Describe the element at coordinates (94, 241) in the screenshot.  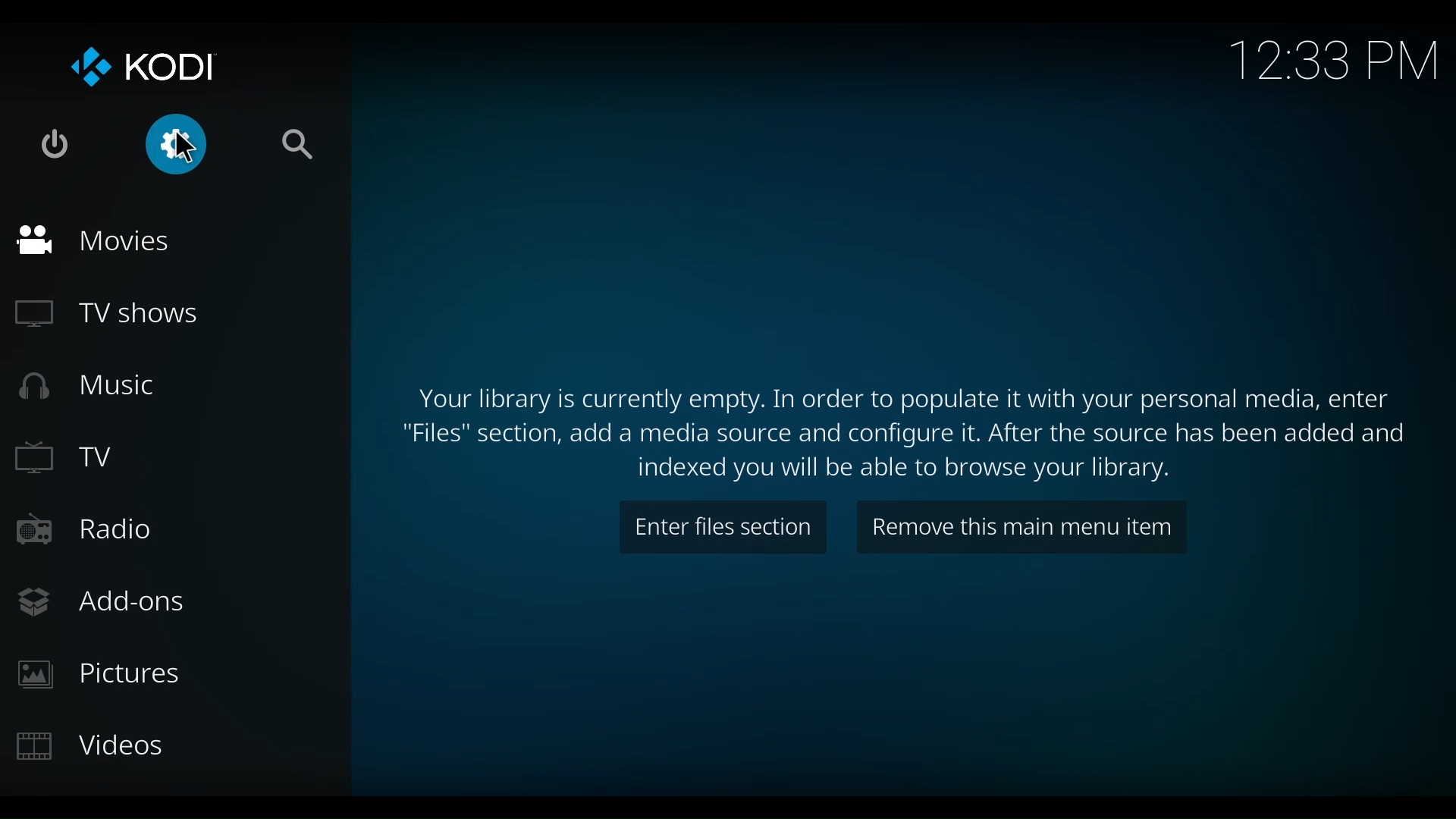
I see `Movies` at that location.